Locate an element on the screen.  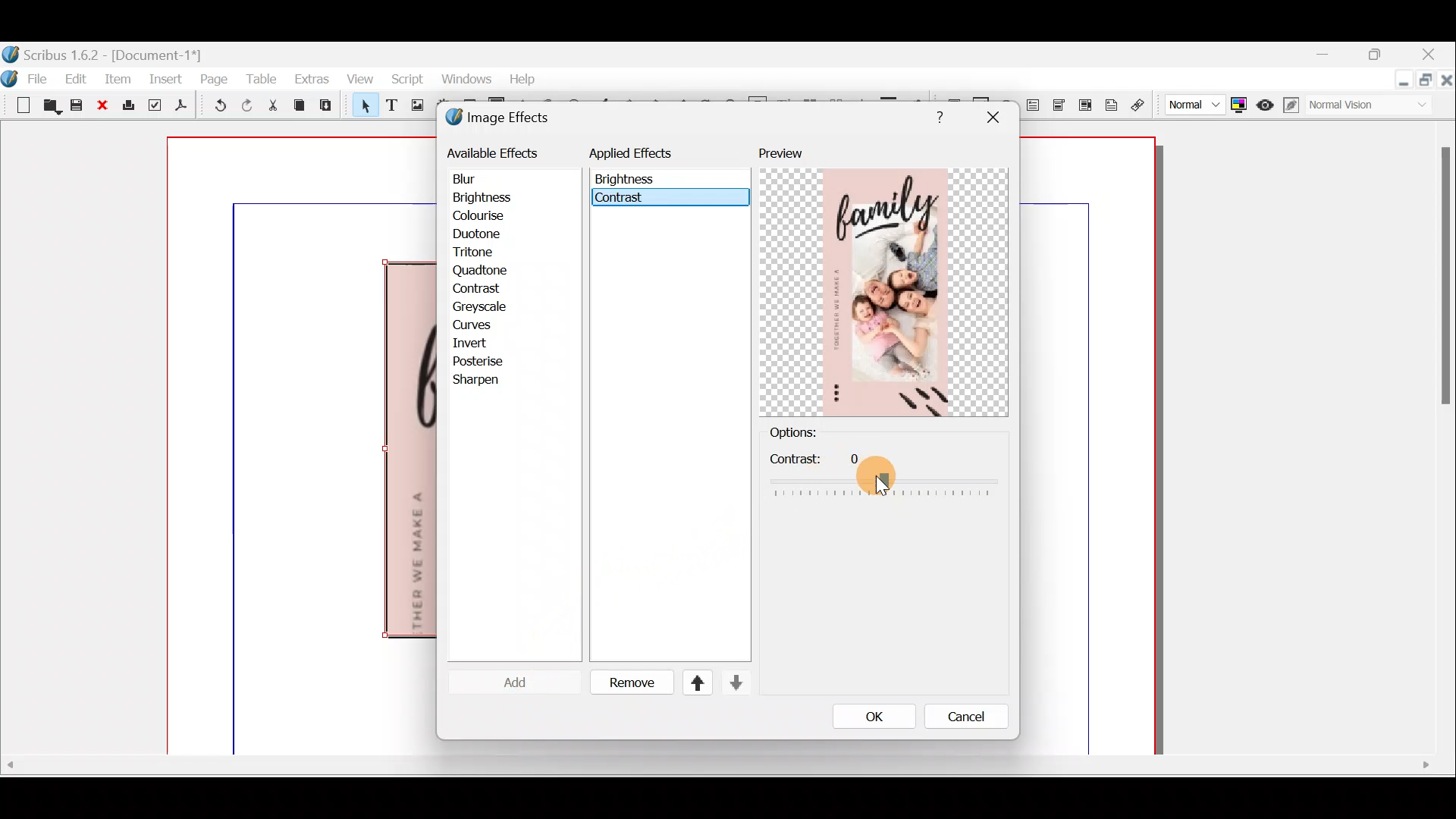
Close is located at coordinates (1447, 83).